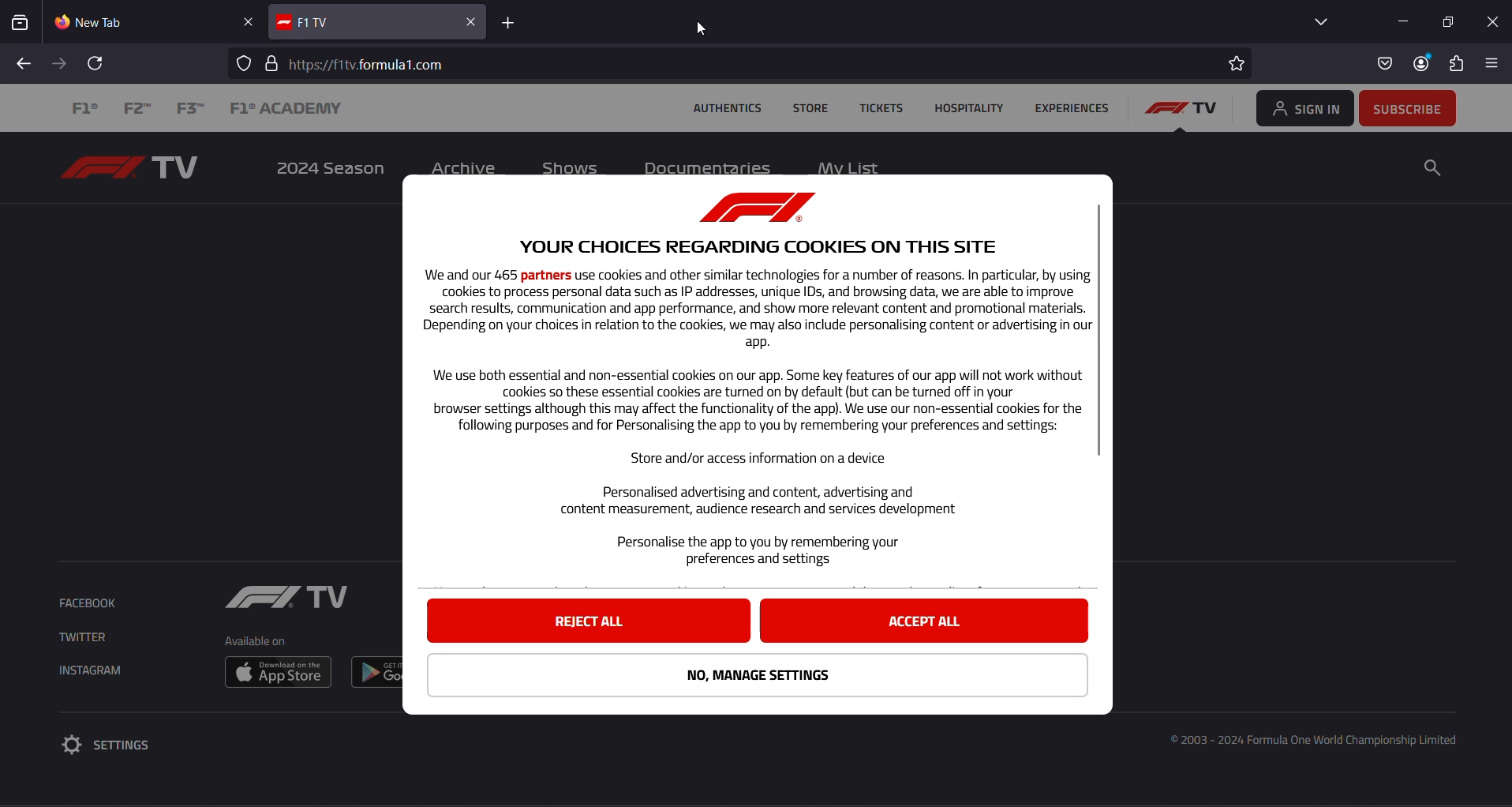 Image resolution: width=1512 pixels, height=807 pixels. What do you see at coordinates (571, 167) in the screenshot?
I see `shows` at bounding box center [571, 167].